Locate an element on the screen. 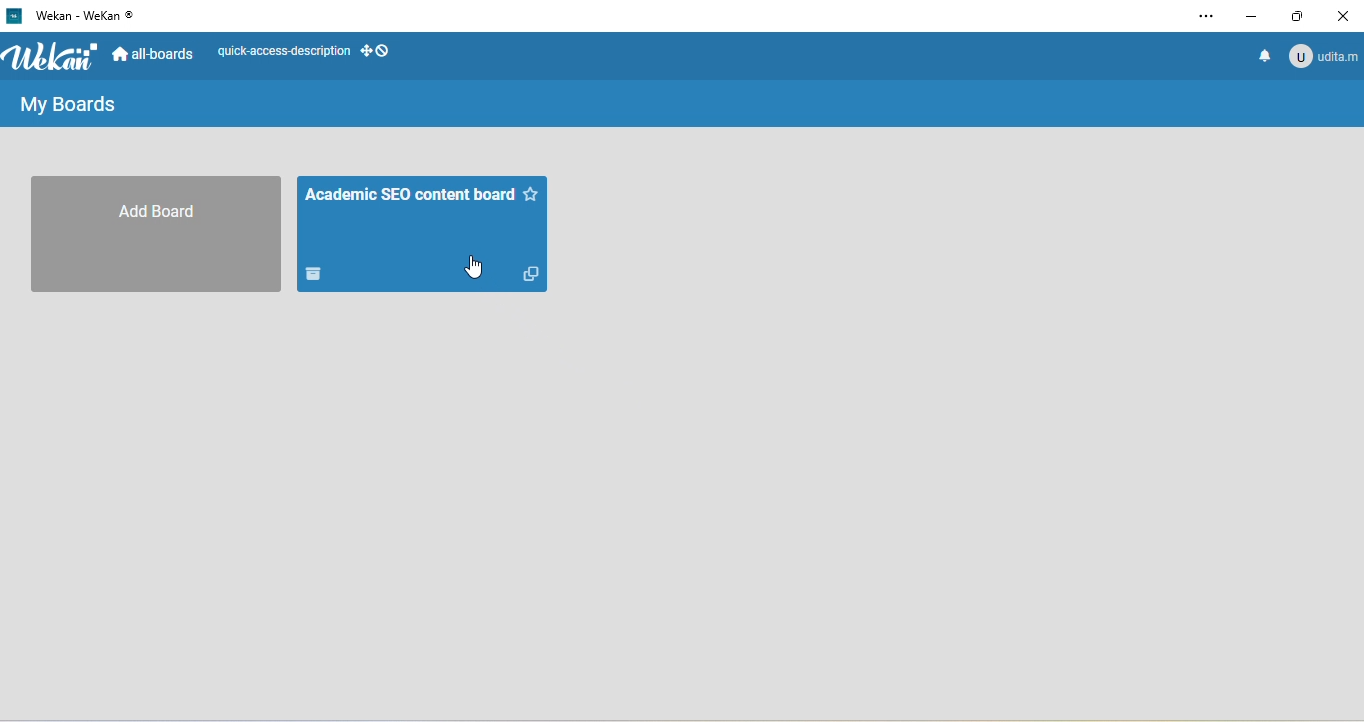 The height and width of the screenshot is (722, 1364). ‘Wekan - WeKan © is located at coordinates (86, 15).